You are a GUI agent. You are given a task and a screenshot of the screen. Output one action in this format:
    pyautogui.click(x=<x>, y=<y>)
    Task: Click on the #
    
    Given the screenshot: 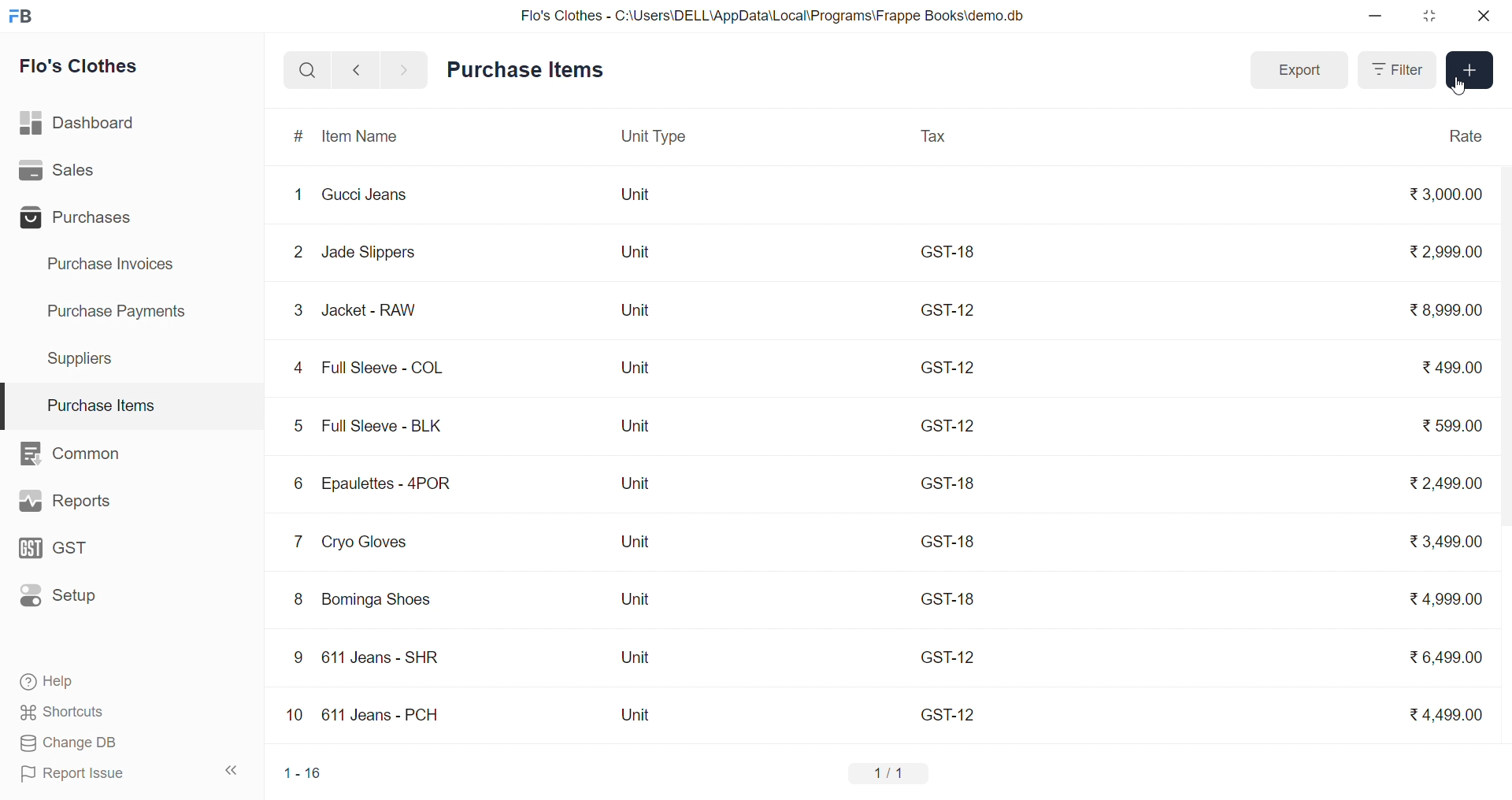 What is the action you would take?
    pyautogui.click(x=301, y=136)
    